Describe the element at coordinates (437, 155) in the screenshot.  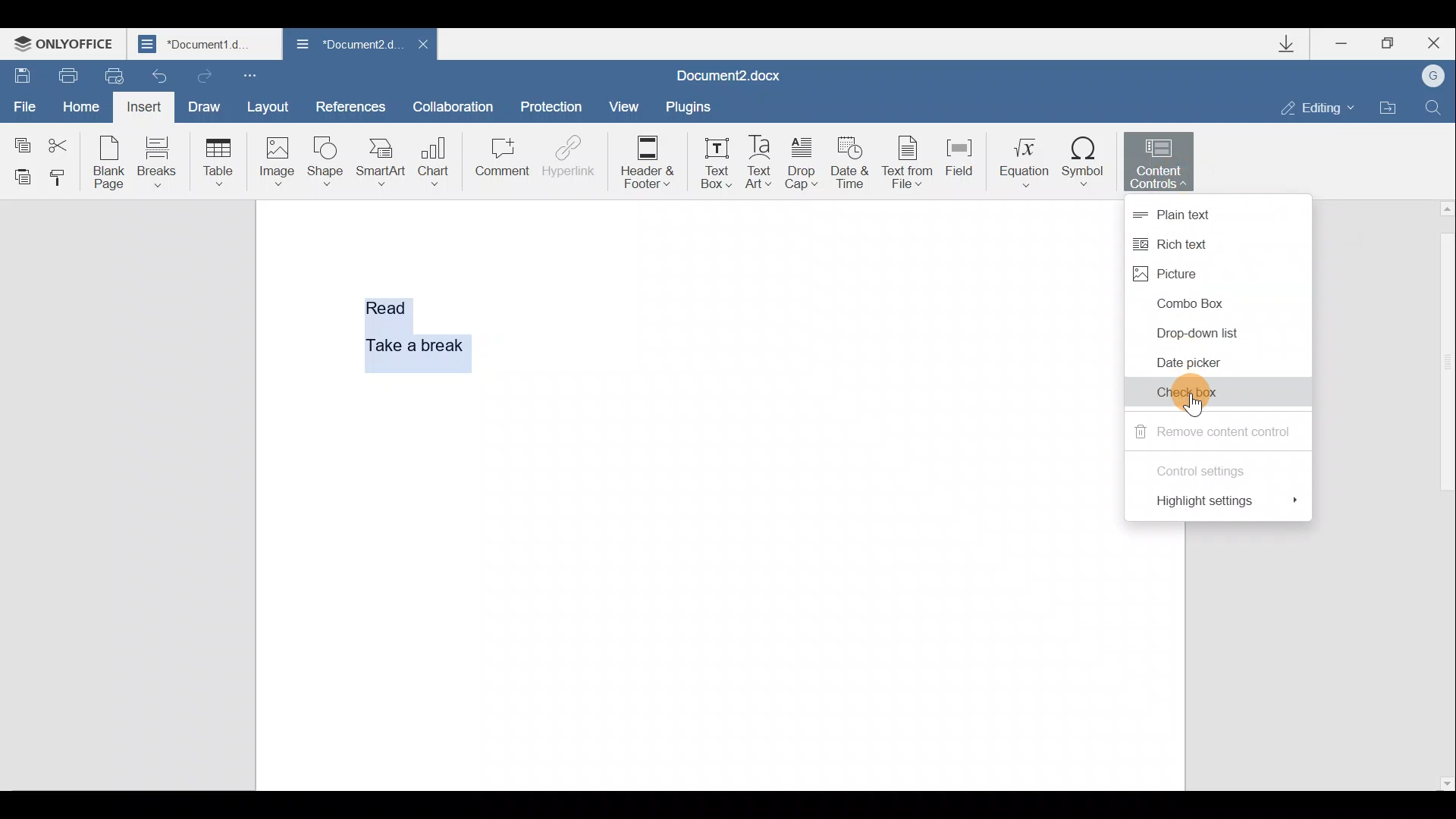
I see `Chart` at that location.